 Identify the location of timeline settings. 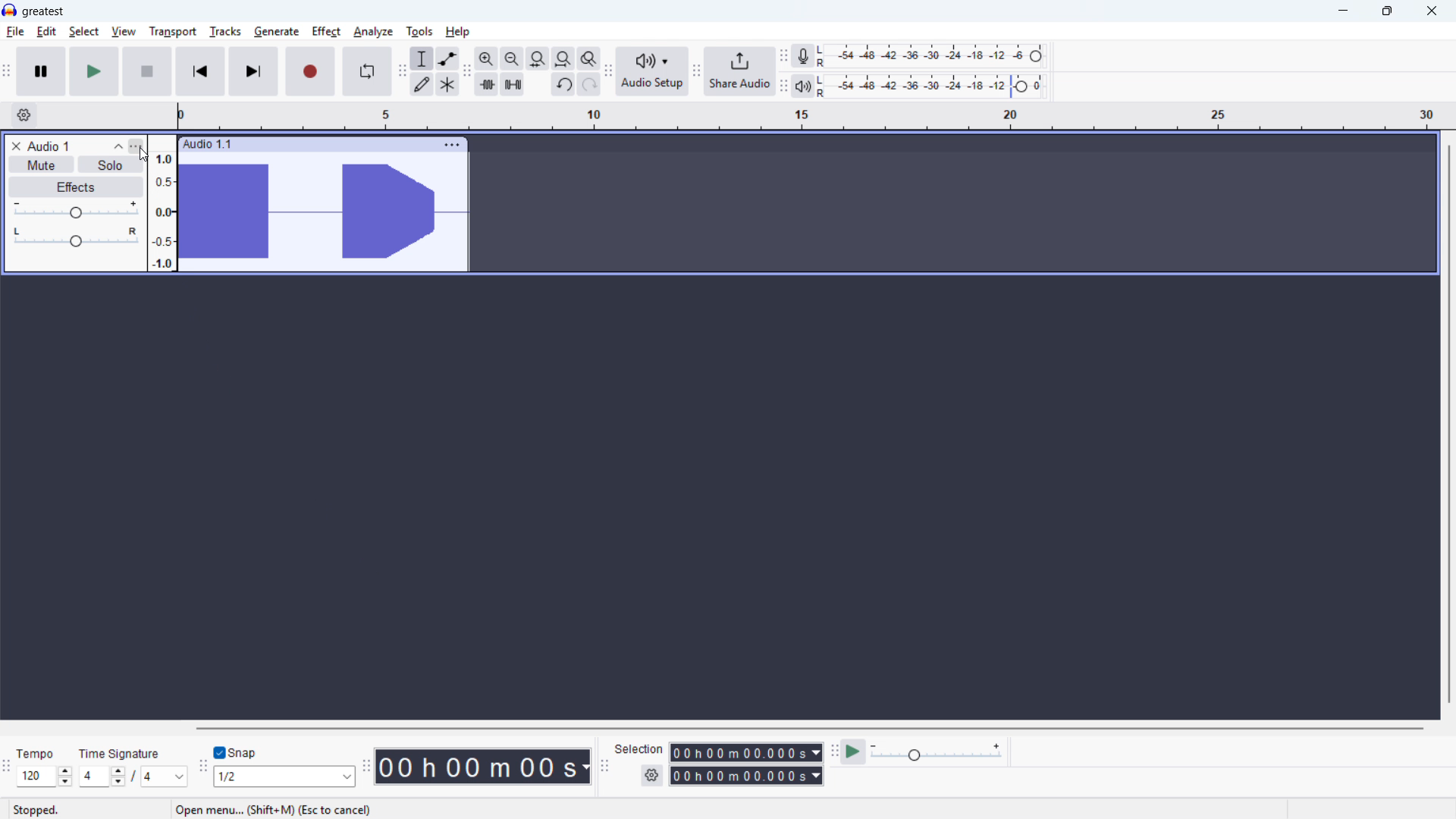
(24, 115).